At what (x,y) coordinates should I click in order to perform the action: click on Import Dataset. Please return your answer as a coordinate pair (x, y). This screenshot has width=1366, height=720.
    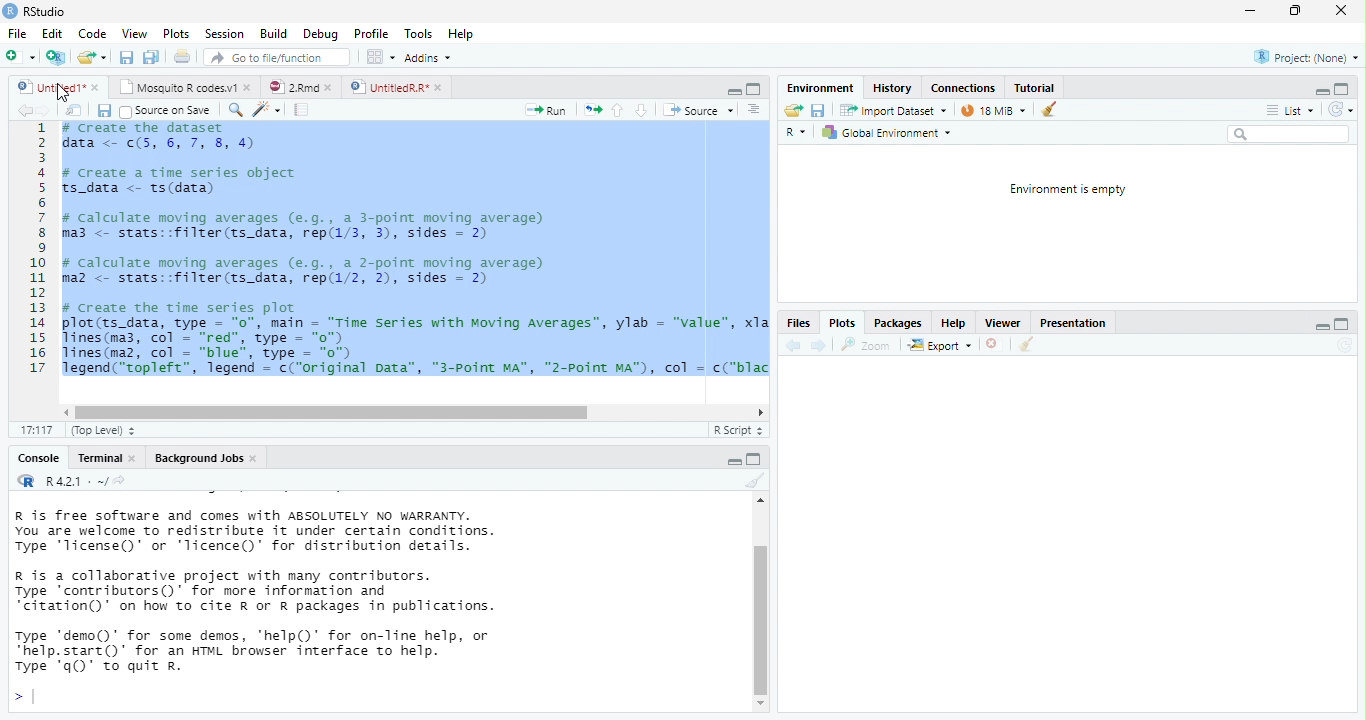
    Looking at the image, I should click on (895, 110).